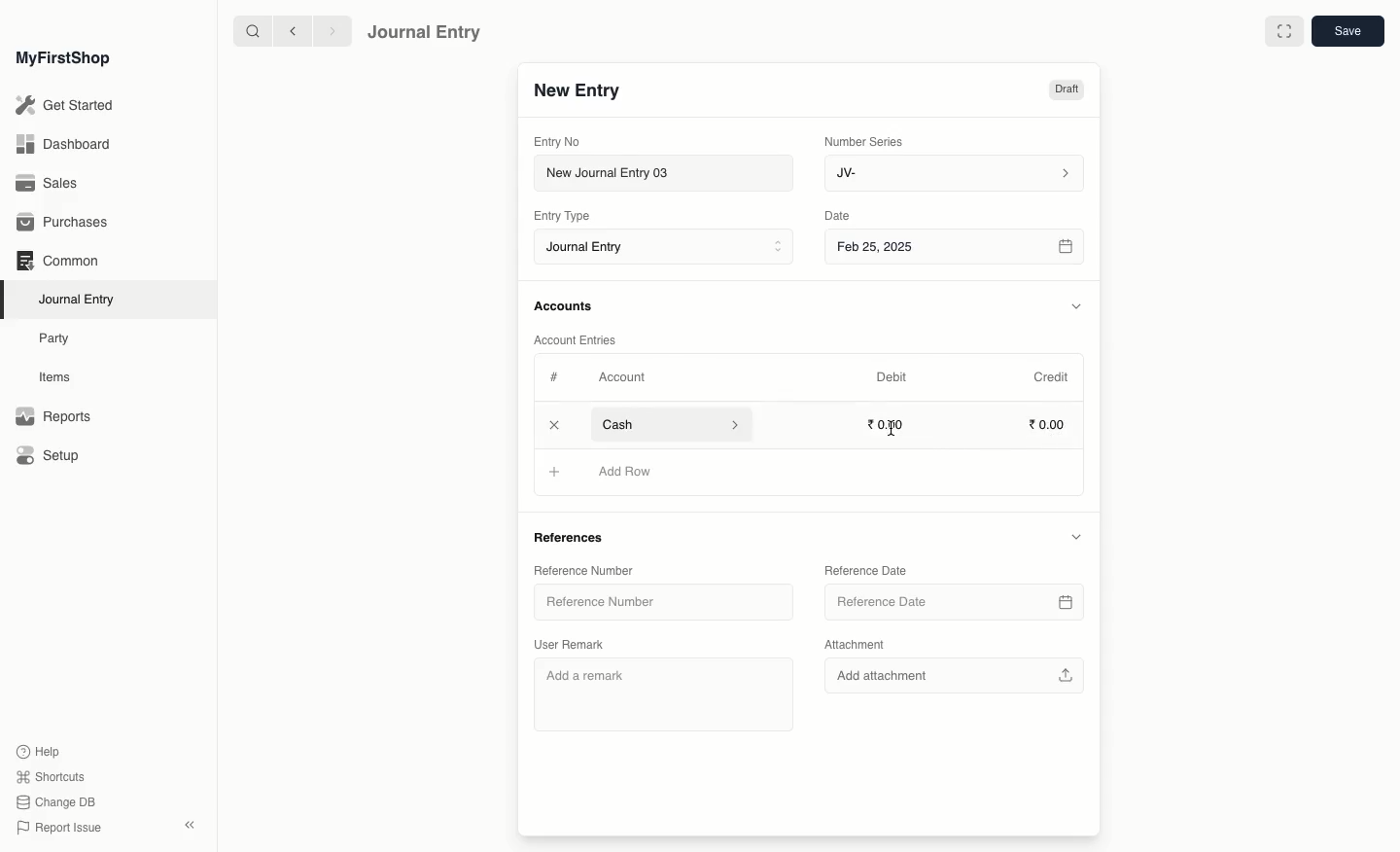 The height and width of the screenshot is (852, 1400). Describe the element at coordinates (52, 417) in the screenshot. I see `Reports` at that location.